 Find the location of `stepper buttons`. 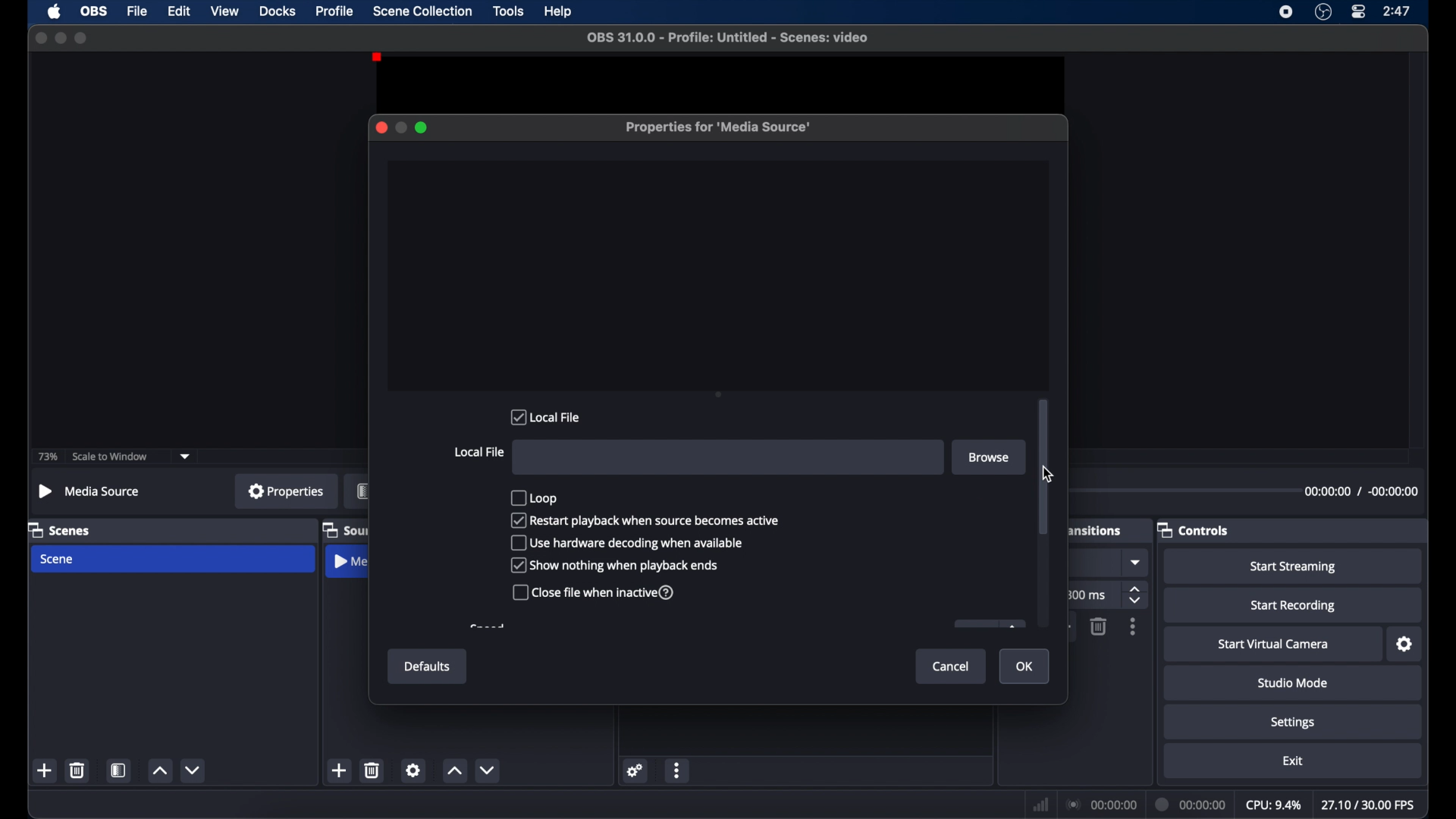

stepper buttons is located at coordinates (1137, 595).